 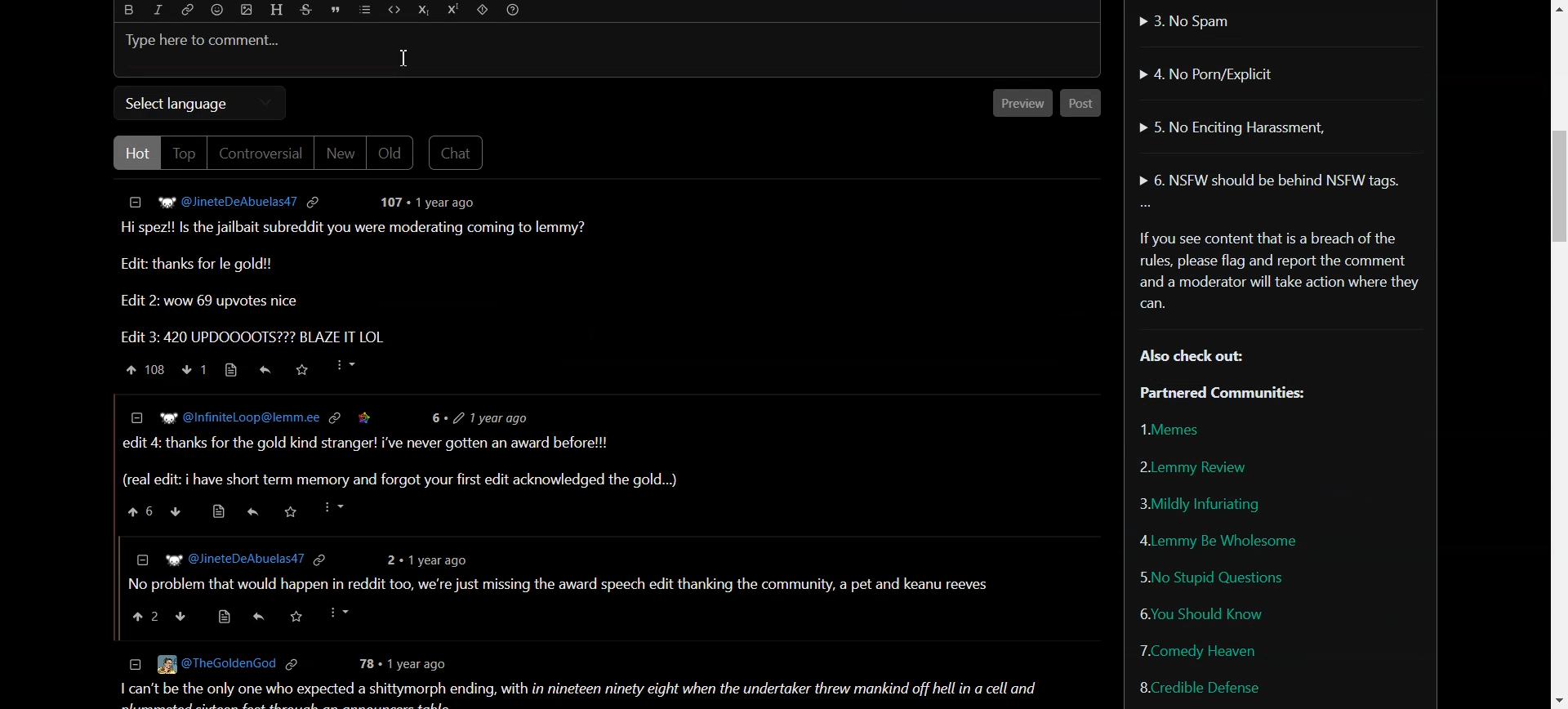 What do you see at coordinates (1209, 74) in the screenshot?
I see `No Porn/Explicit` at bounding box center [1209, 74].